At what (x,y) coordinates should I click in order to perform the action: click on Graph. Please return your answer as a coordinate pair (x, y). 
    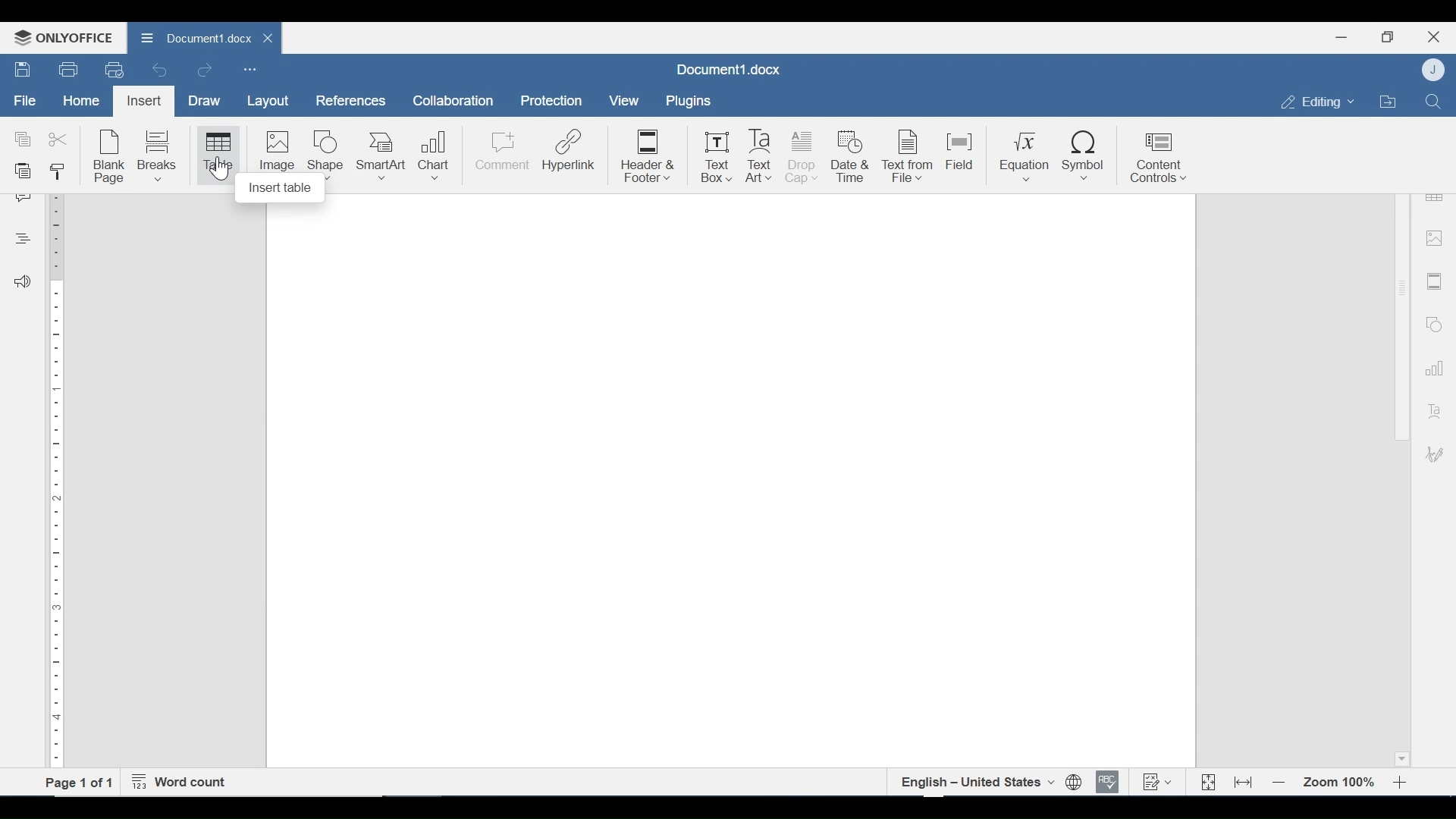
    Looking at the image, I should click on (1431, 366).